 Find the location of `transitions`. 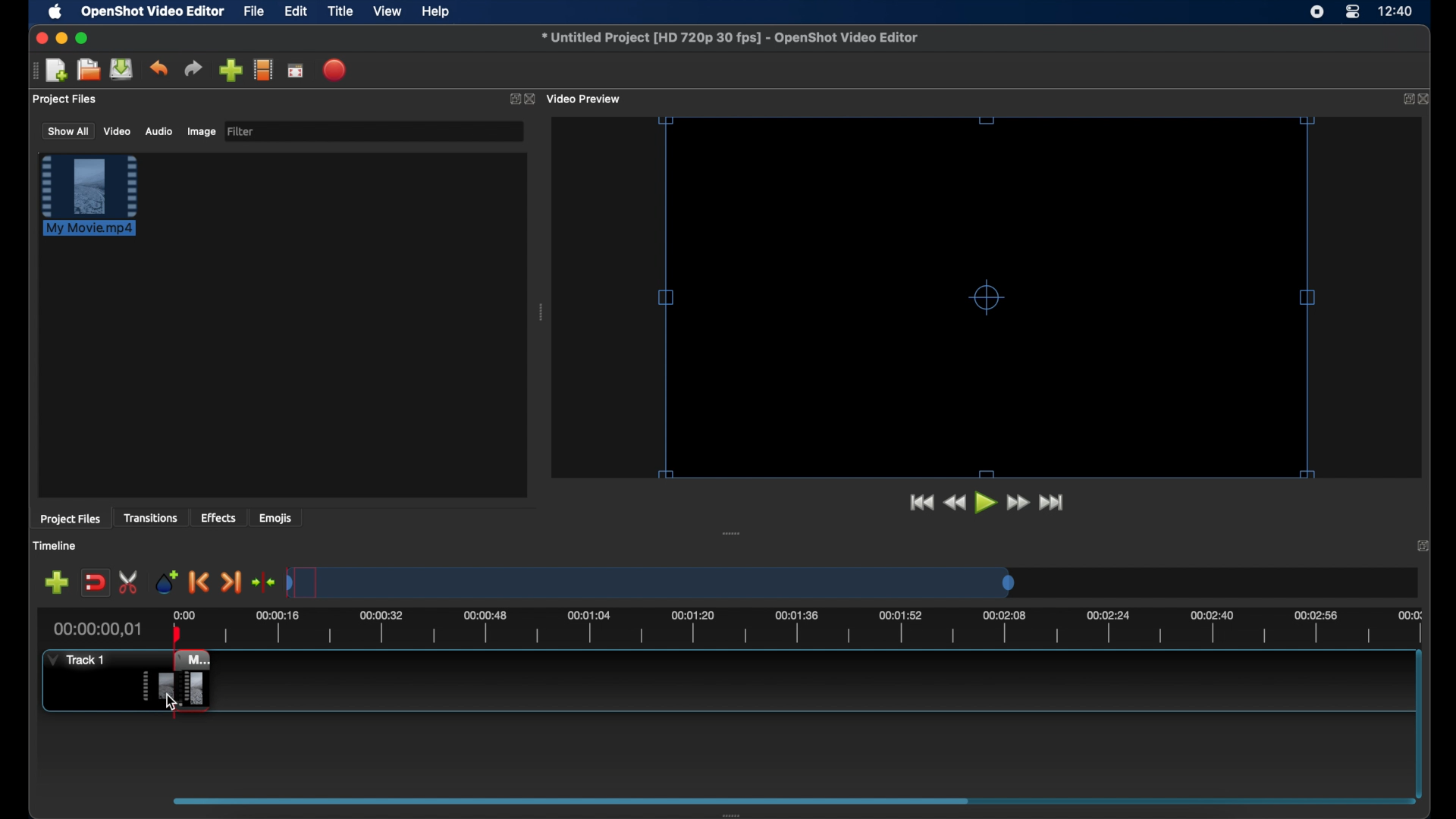

transitions is located at coordinates (152, 519).